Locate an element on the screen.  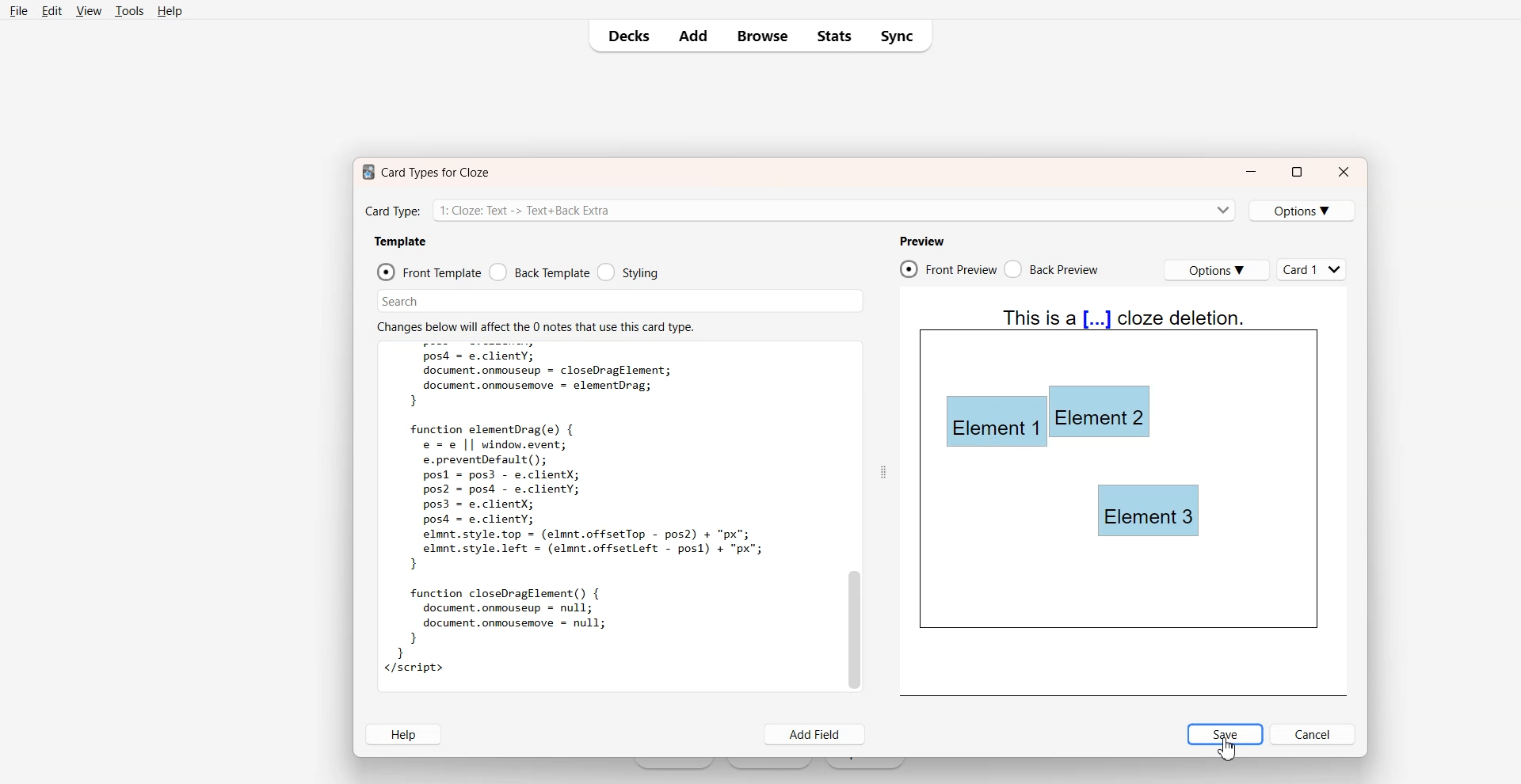
Sync is located at coordinates (900, 36).